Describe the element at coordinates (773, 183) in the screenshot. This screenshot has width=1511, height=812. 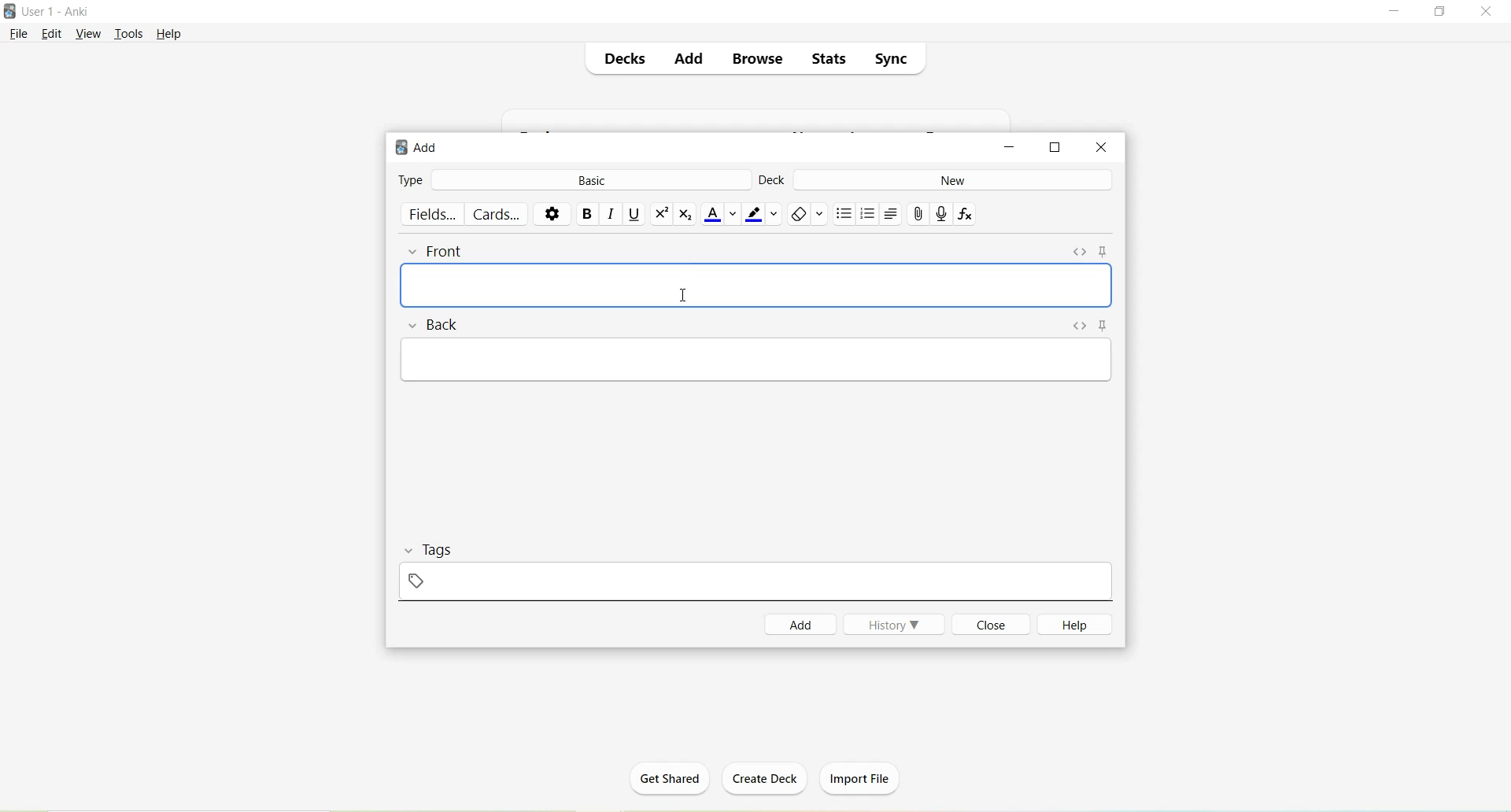
I see `Deck` at that location.